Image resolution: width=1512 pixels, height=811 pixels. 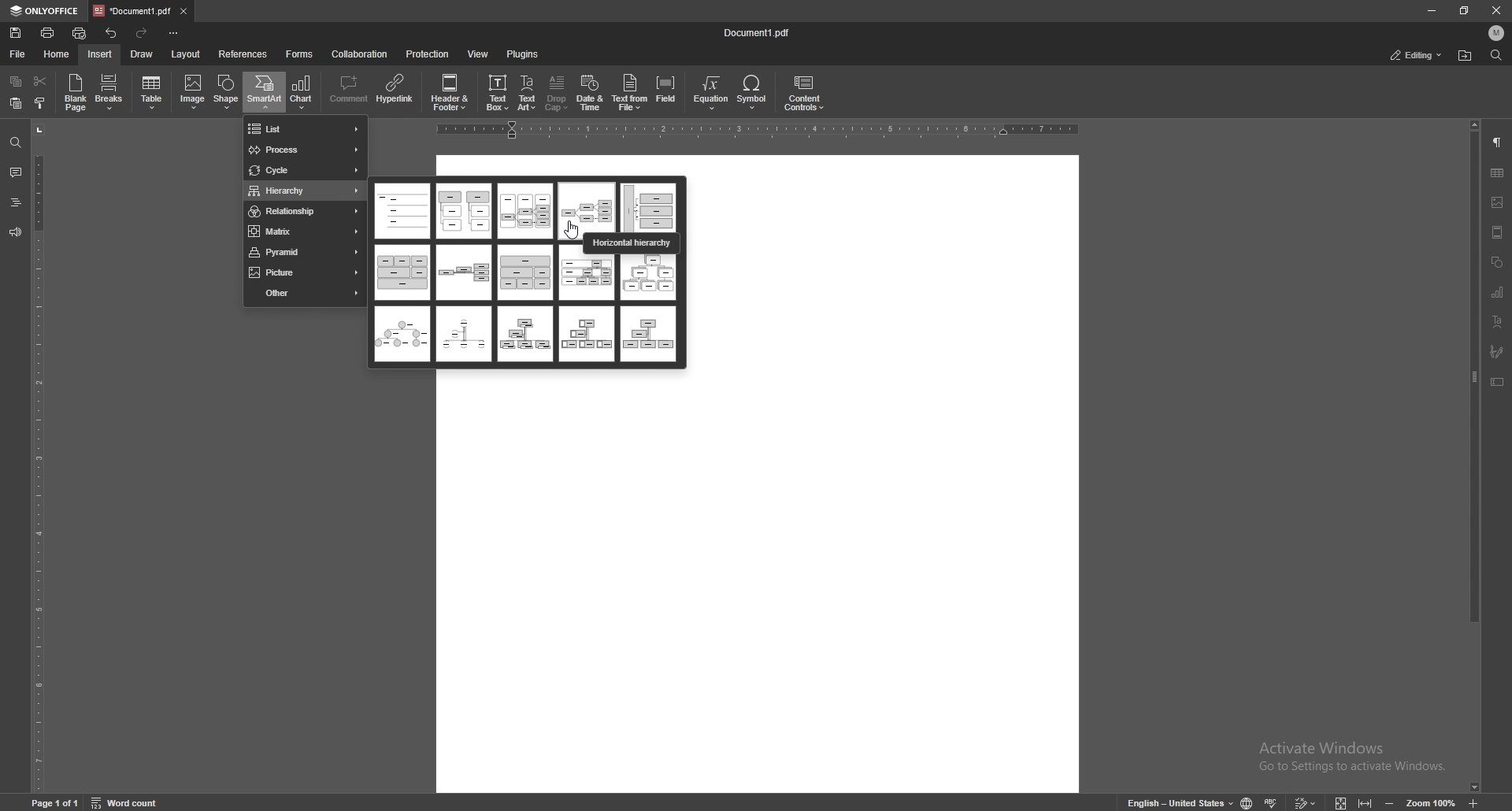 I want to click on other, so click(x=305, y=292).